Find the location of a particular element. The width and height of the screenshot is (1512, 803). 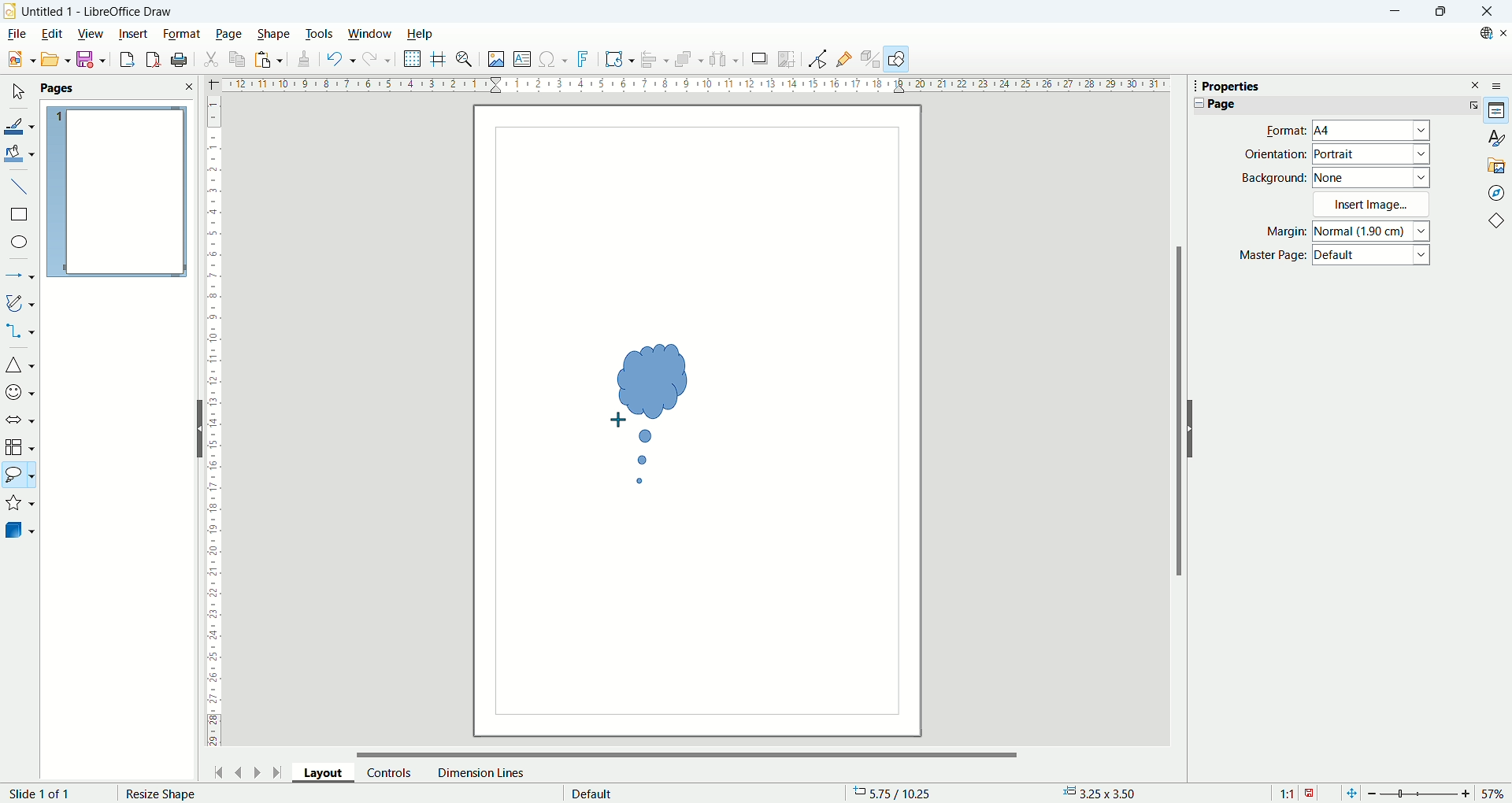

page is located at coordinates (117, 193).